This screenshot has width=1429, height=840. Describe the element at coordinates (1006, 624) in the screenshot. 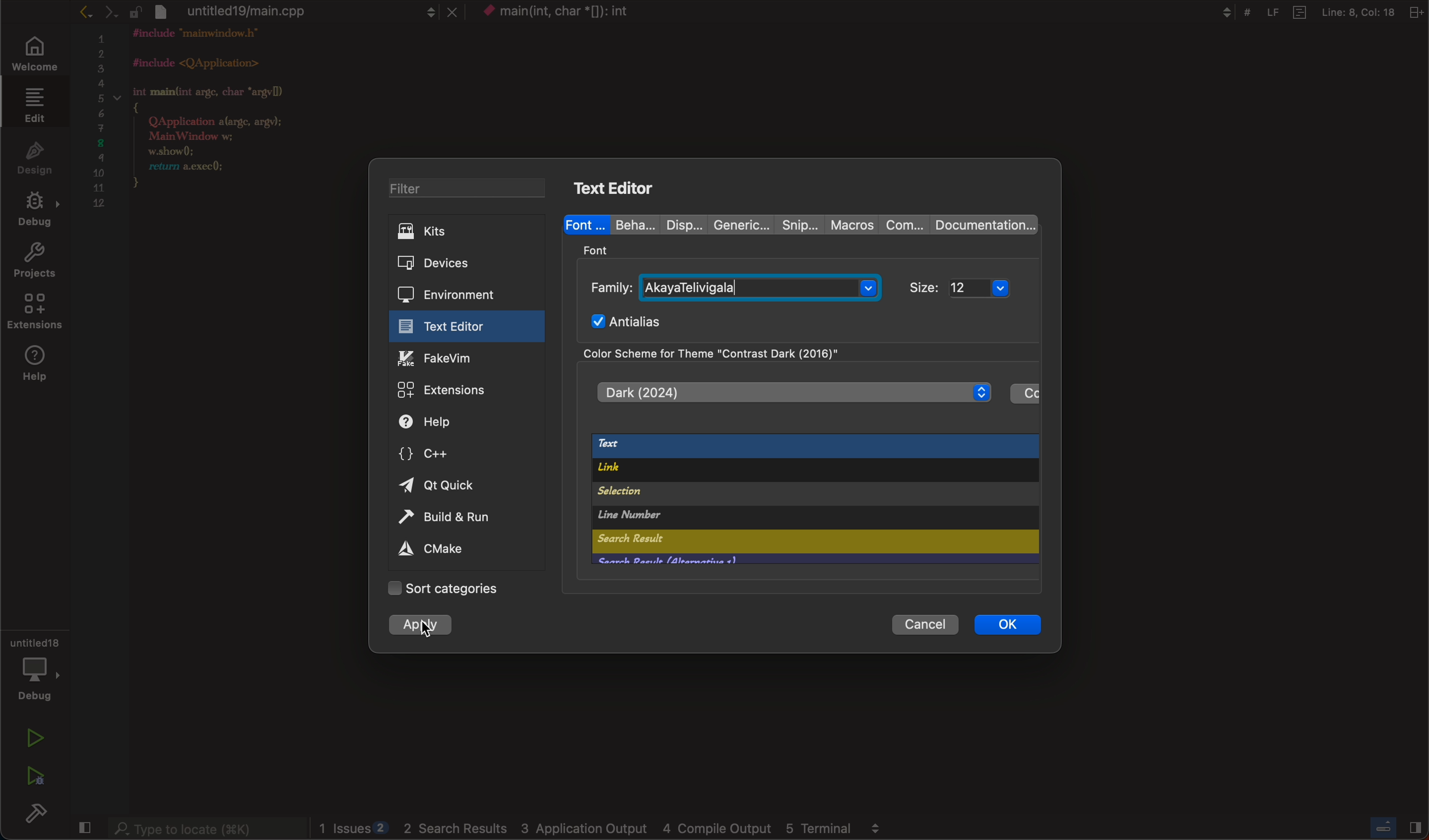

I see `ok` at that location.